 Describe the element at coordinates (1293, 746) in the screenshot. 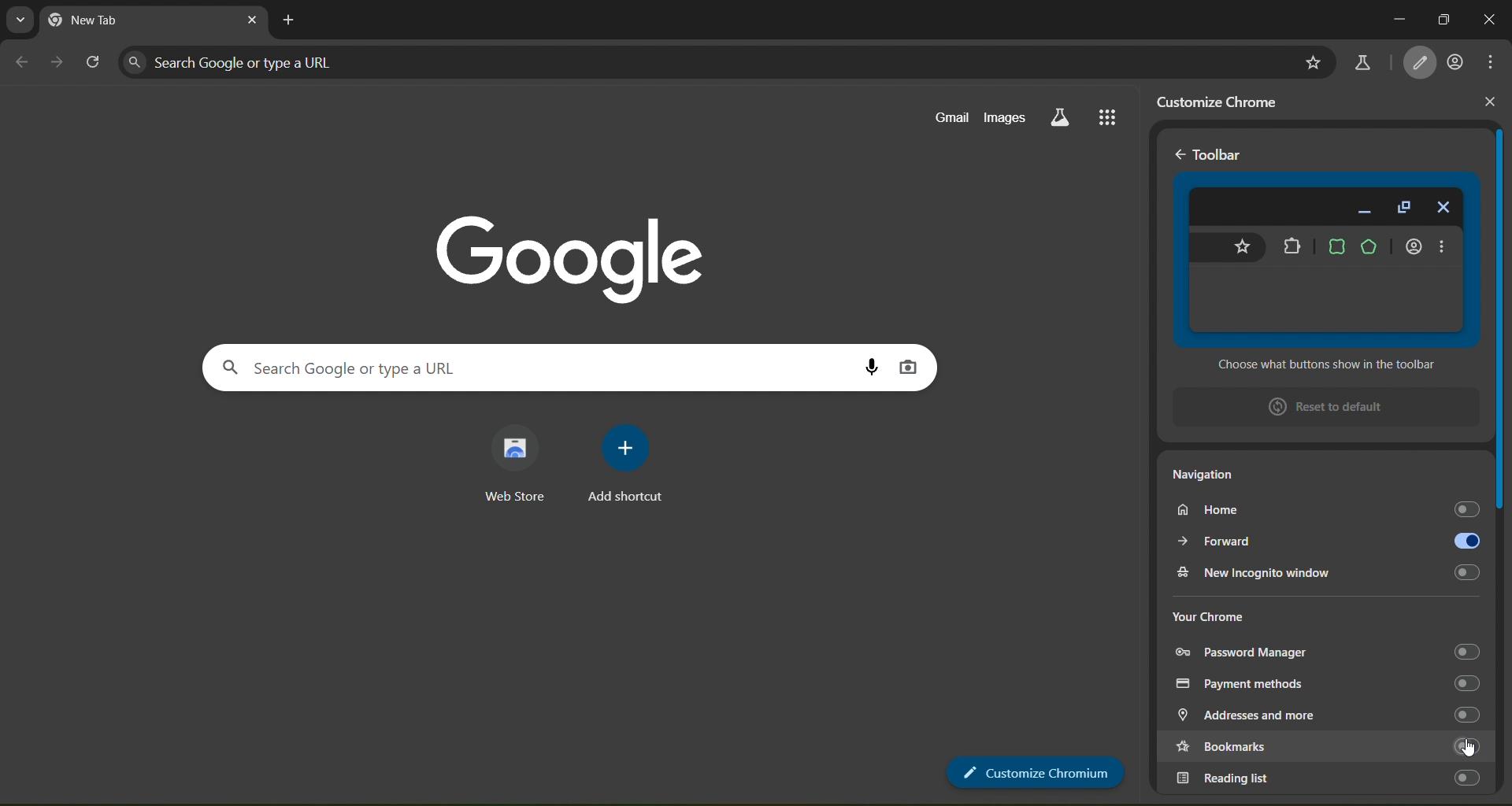

I see `bookmarks` at that location.